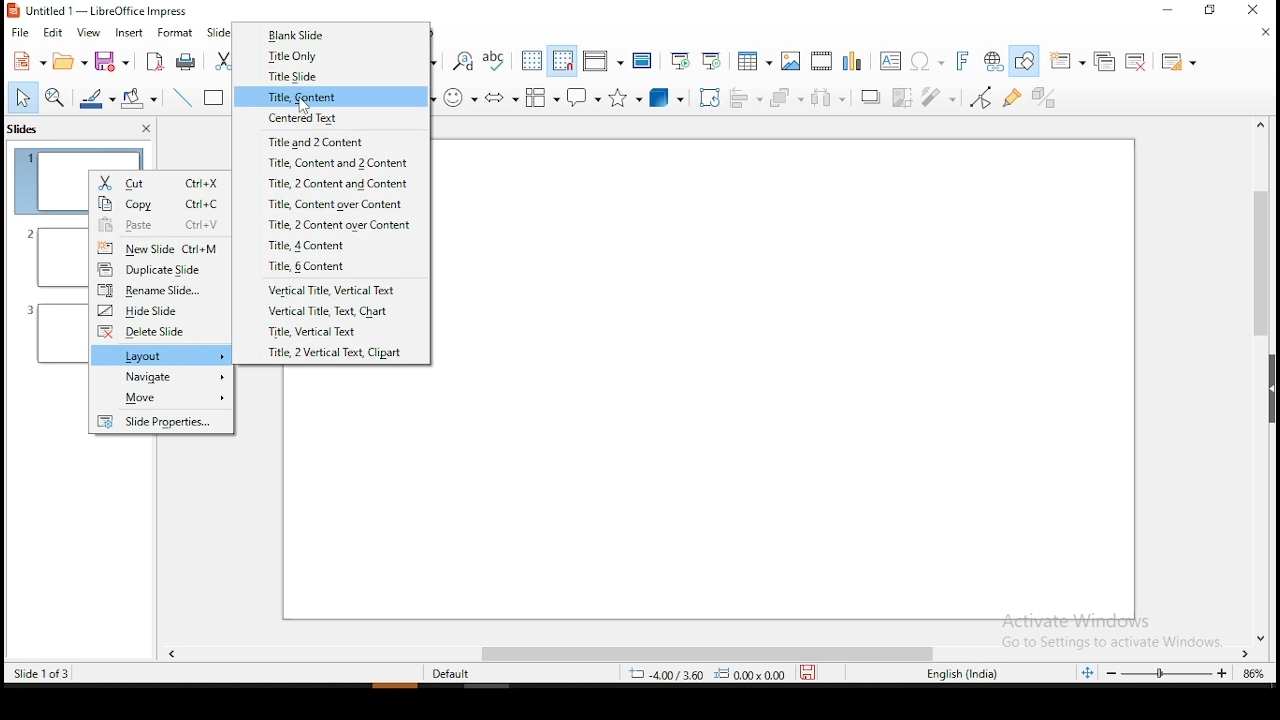  I want to click on view, so click(87, 33).